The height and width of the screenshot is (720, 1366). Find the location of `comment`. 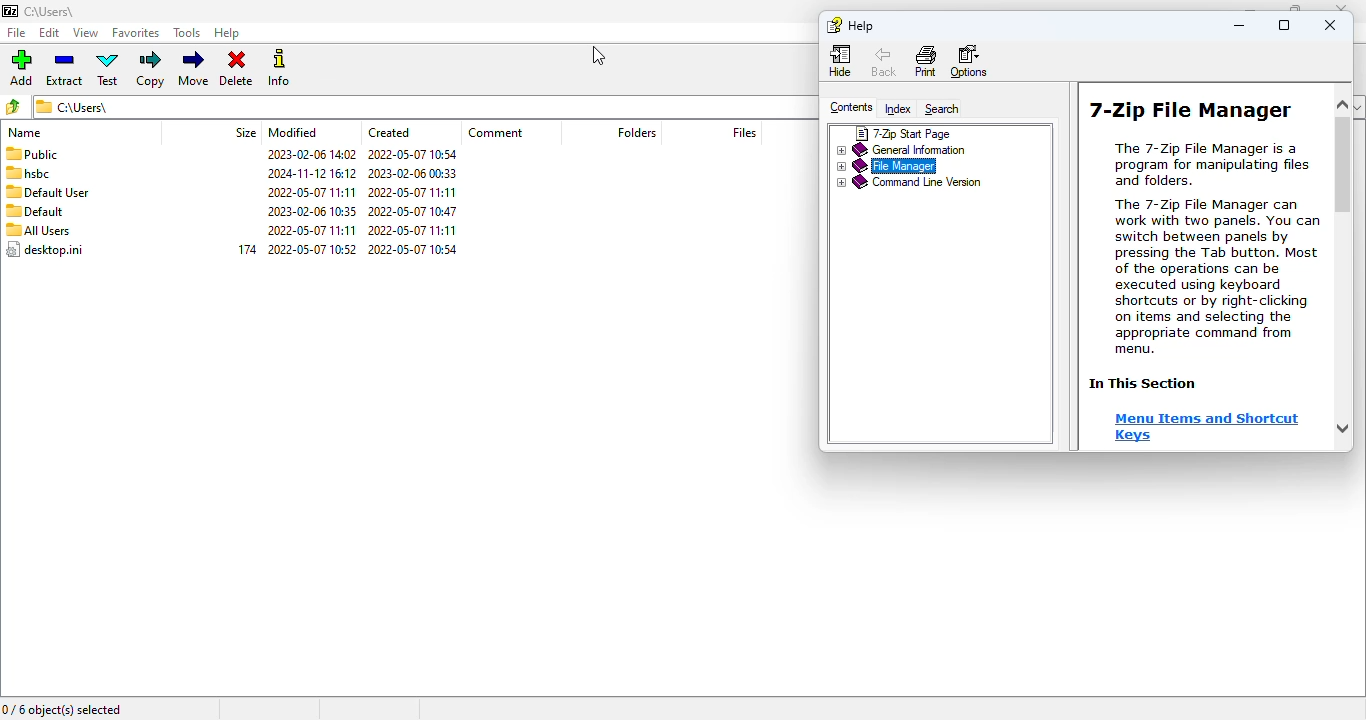

comment is located at coordinates (496, 132).